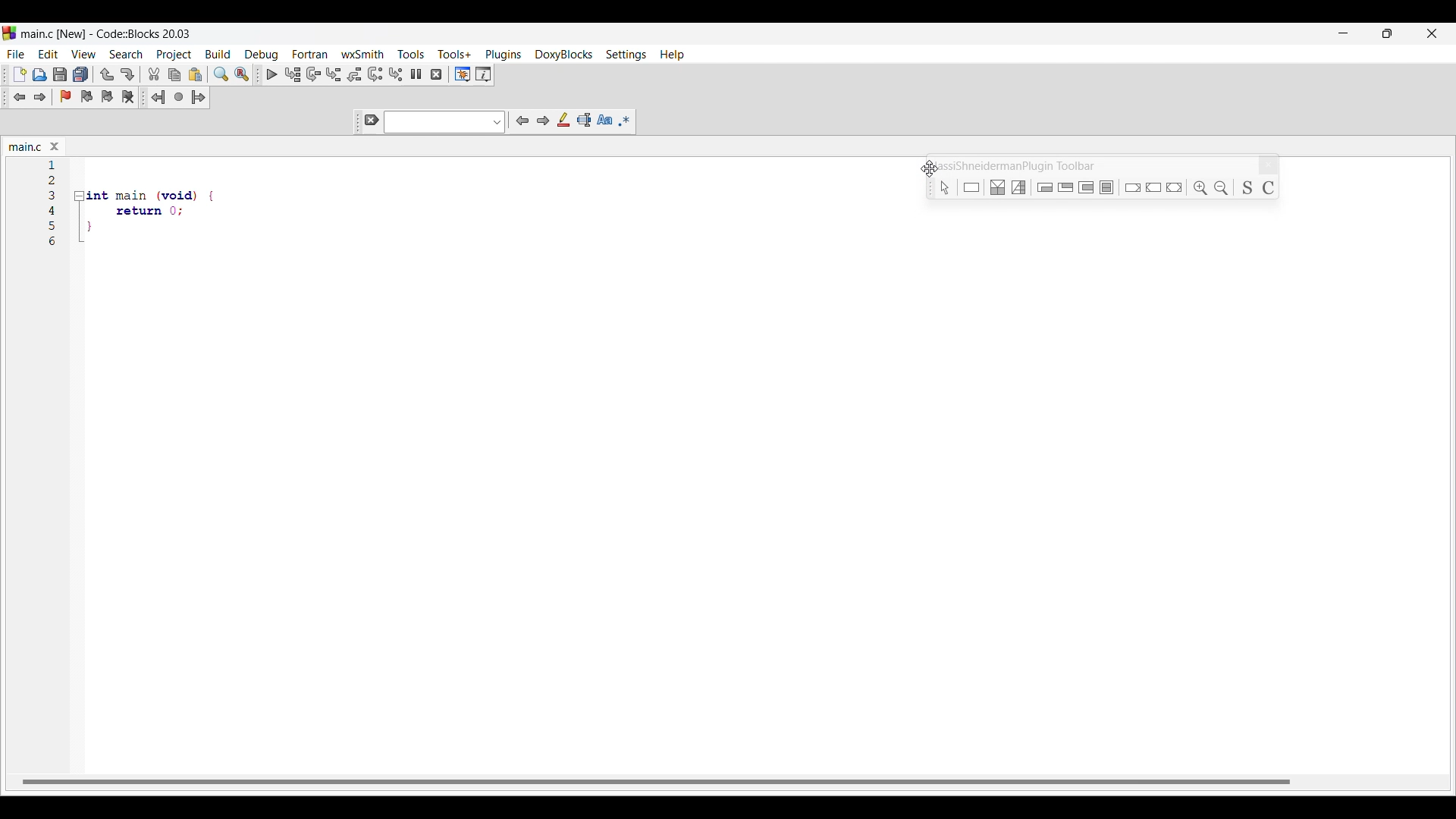 The image size is (1456, 819). I want to click on Search menu, so click(127, 54).